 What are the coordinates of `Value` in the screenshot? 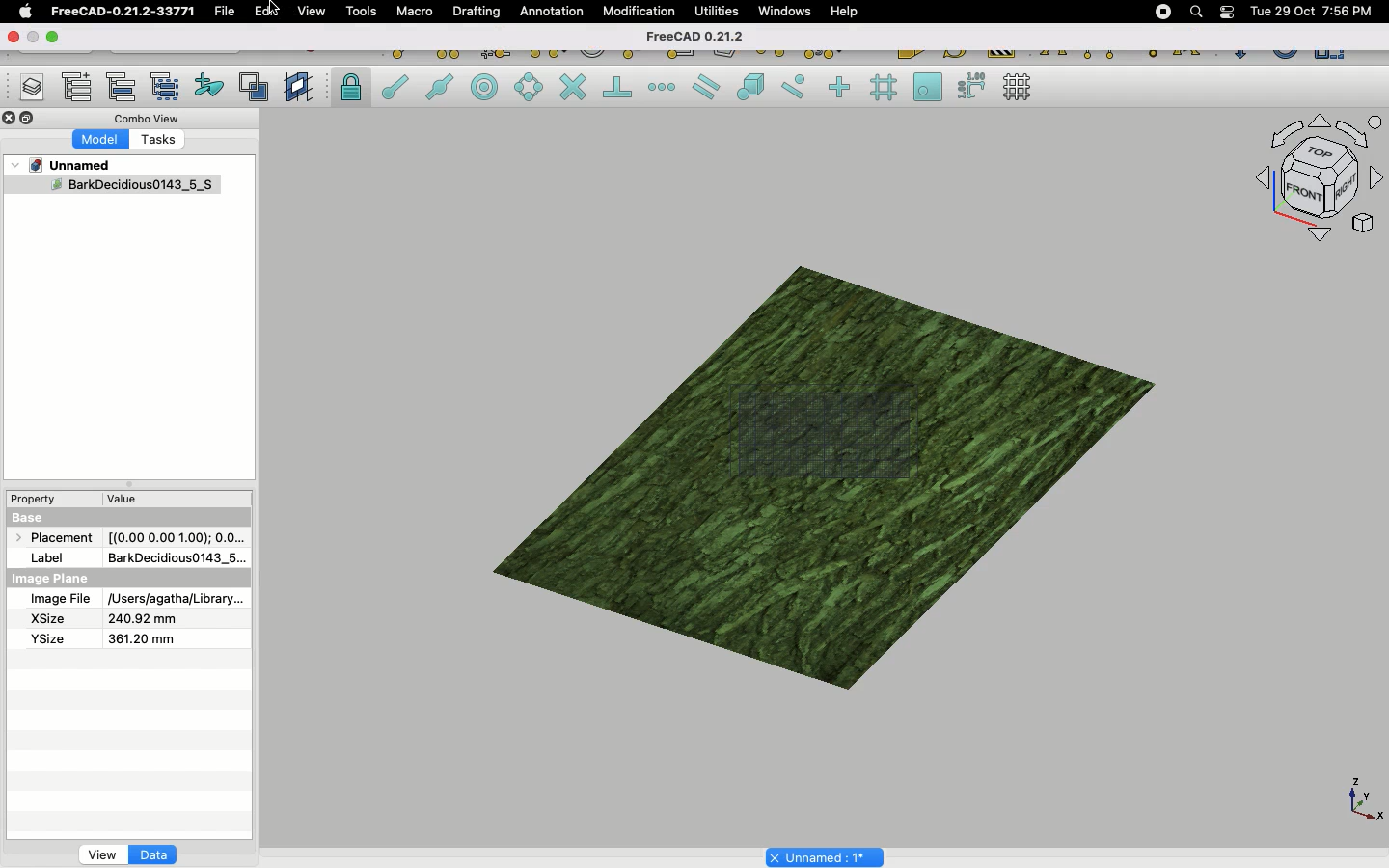 It's located at (123, 502).